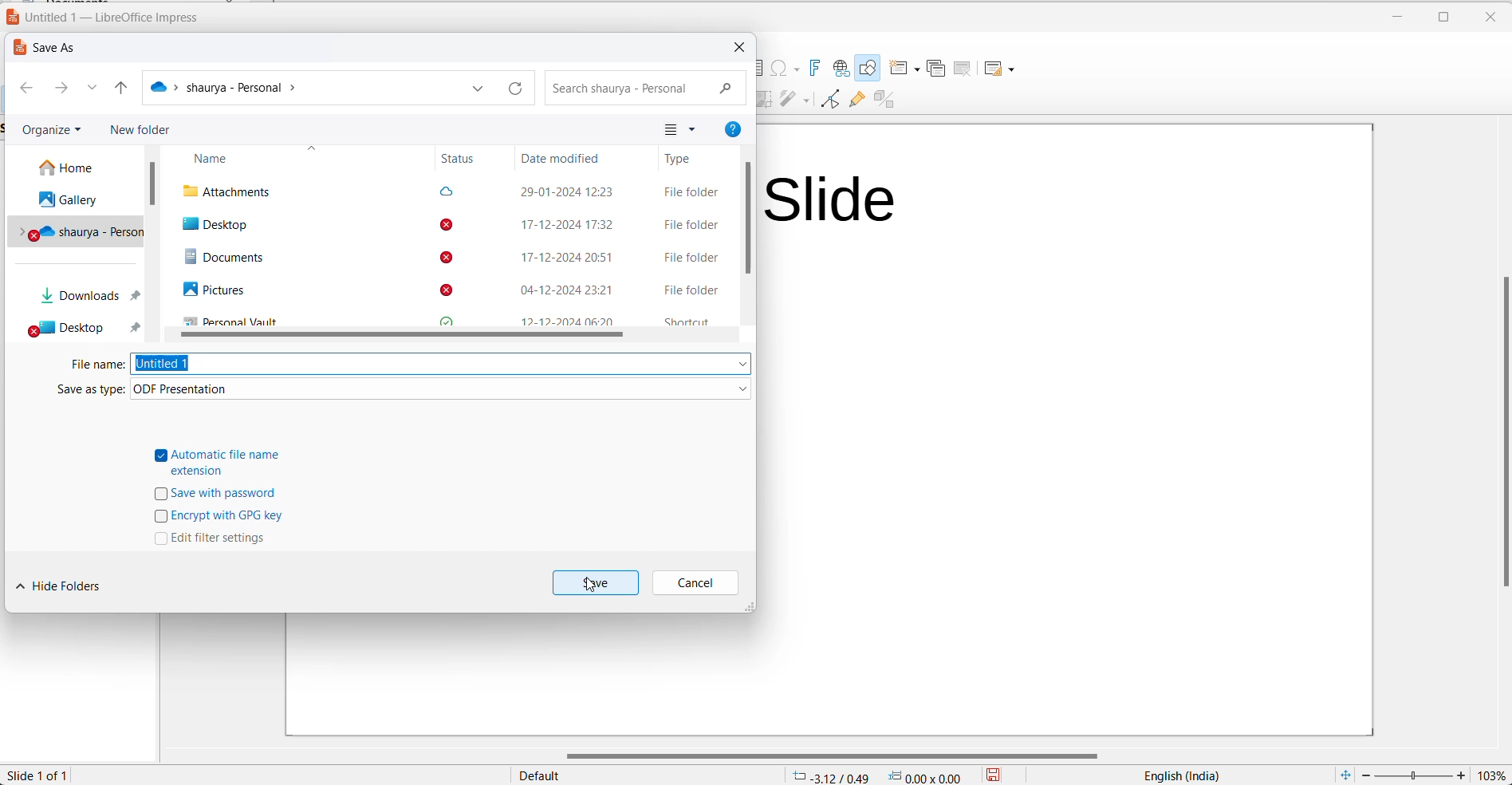 The image size is (1512, 785). I want to click on 29-01-2024 12:23, so click(568, 191).